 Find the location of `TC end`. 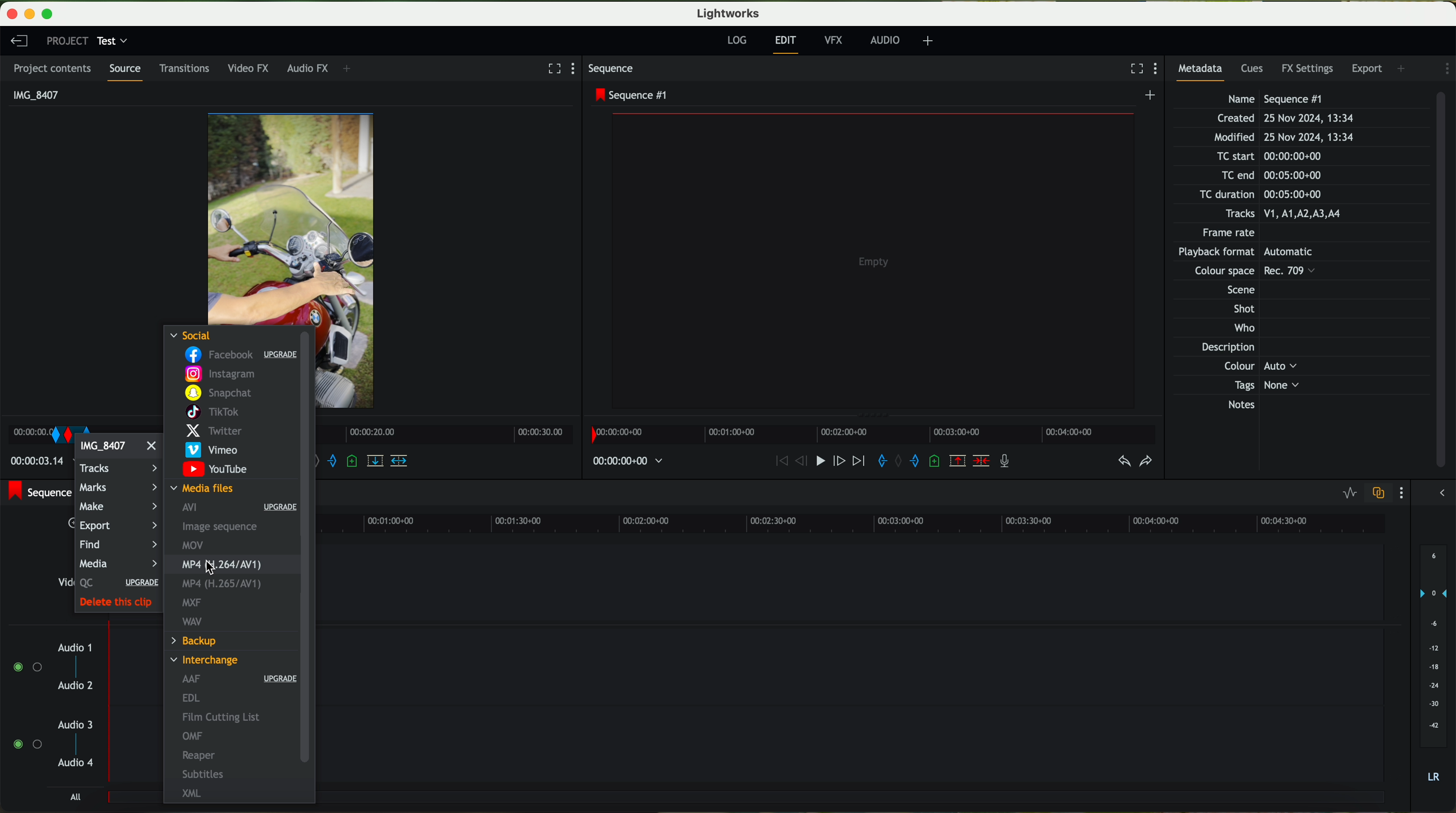

TC end is located at coordinates (1286, 176).